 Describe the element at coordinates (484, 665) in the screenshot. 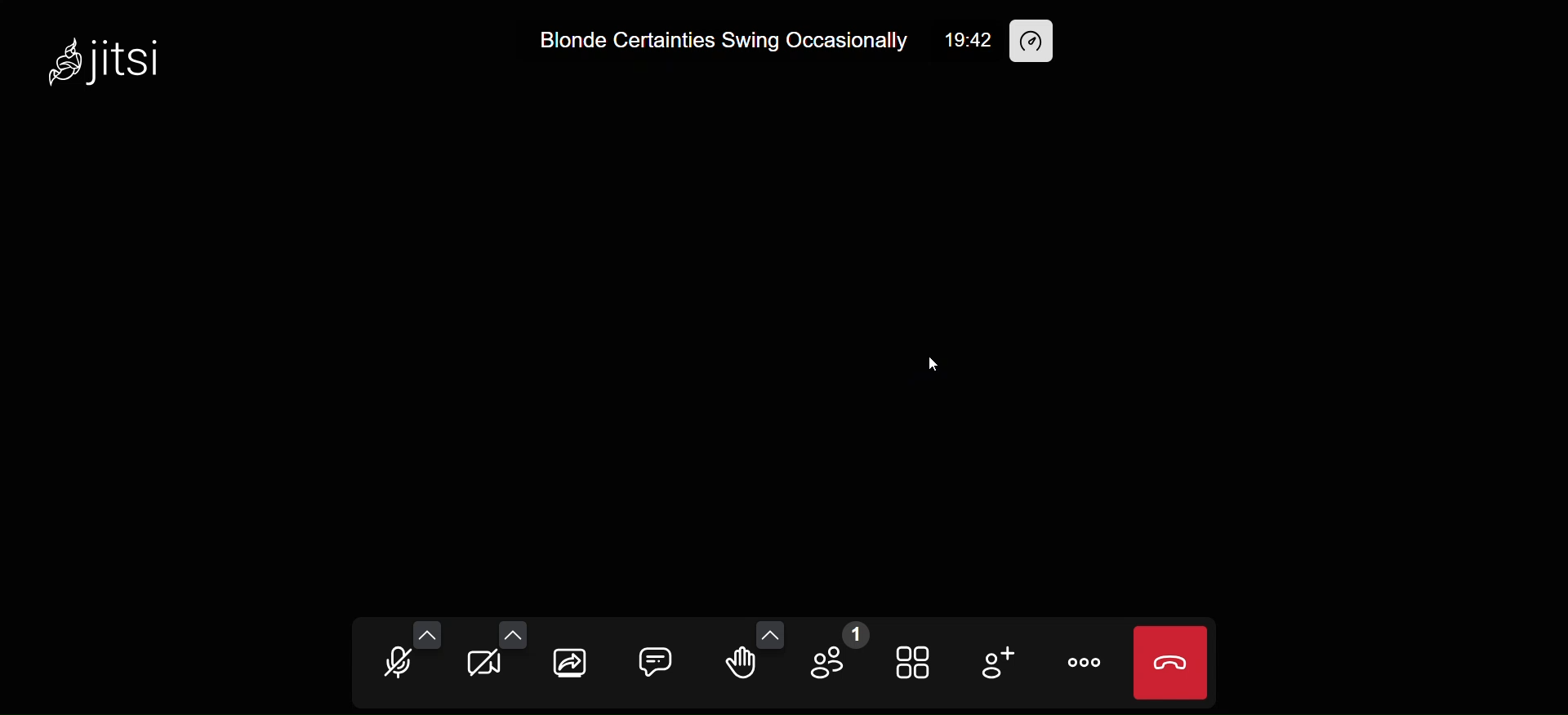

I see `camera` at that location.